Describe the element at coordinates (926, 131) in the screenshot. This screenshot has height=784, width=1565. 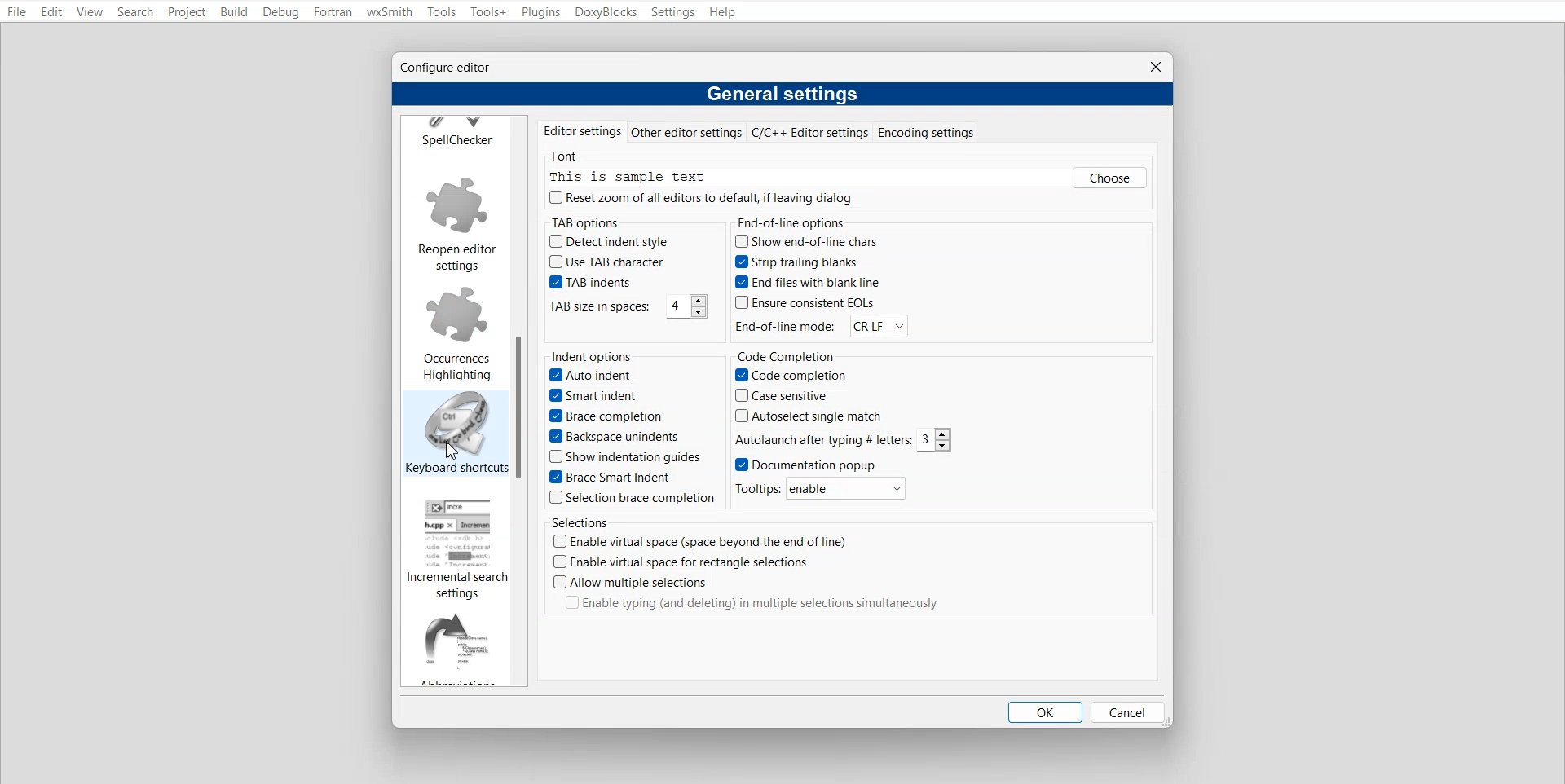
I see `Encoding settings` at that location.